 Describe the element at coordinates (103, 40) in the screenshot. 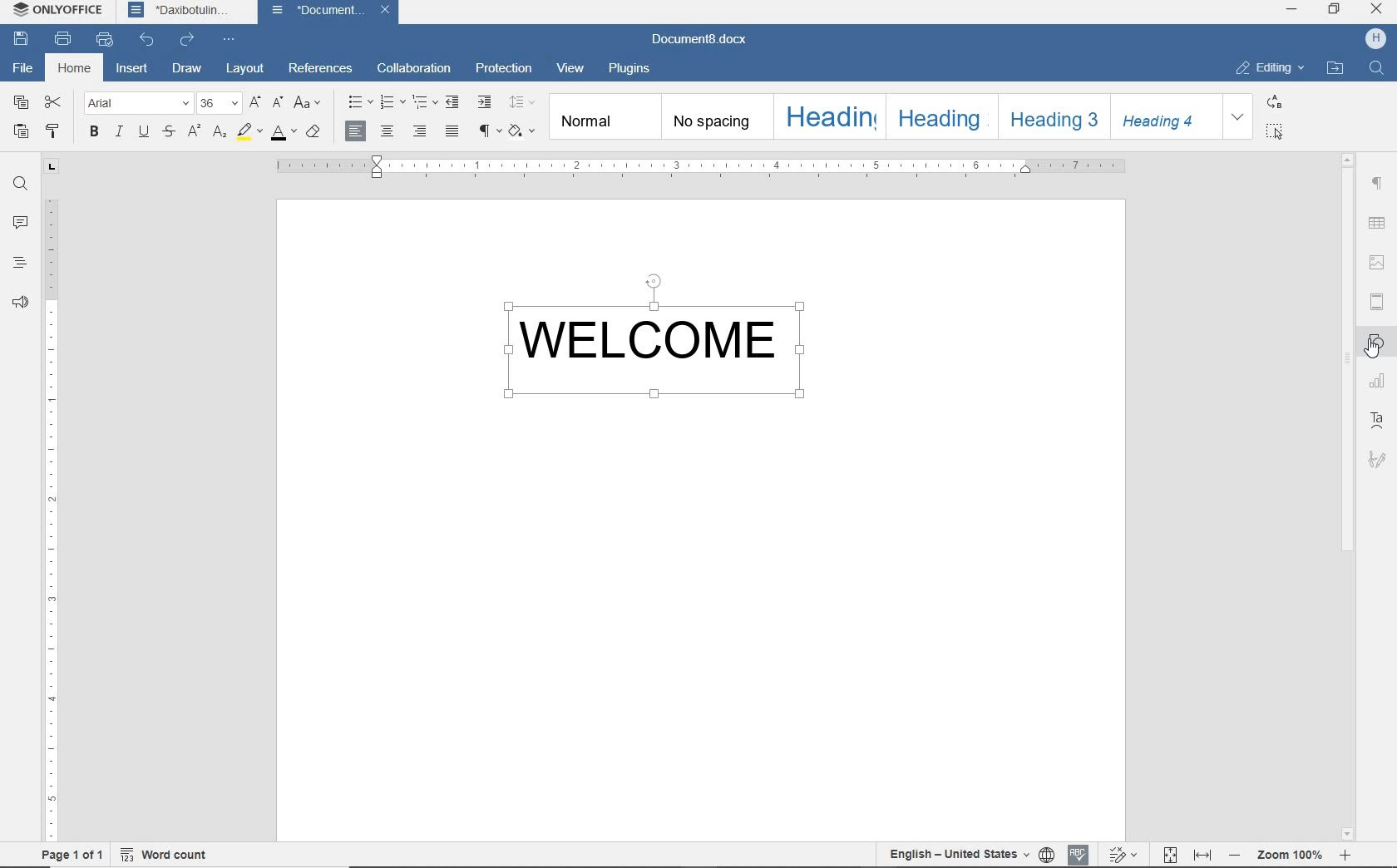

I see `QUICK PRINT` at that location.